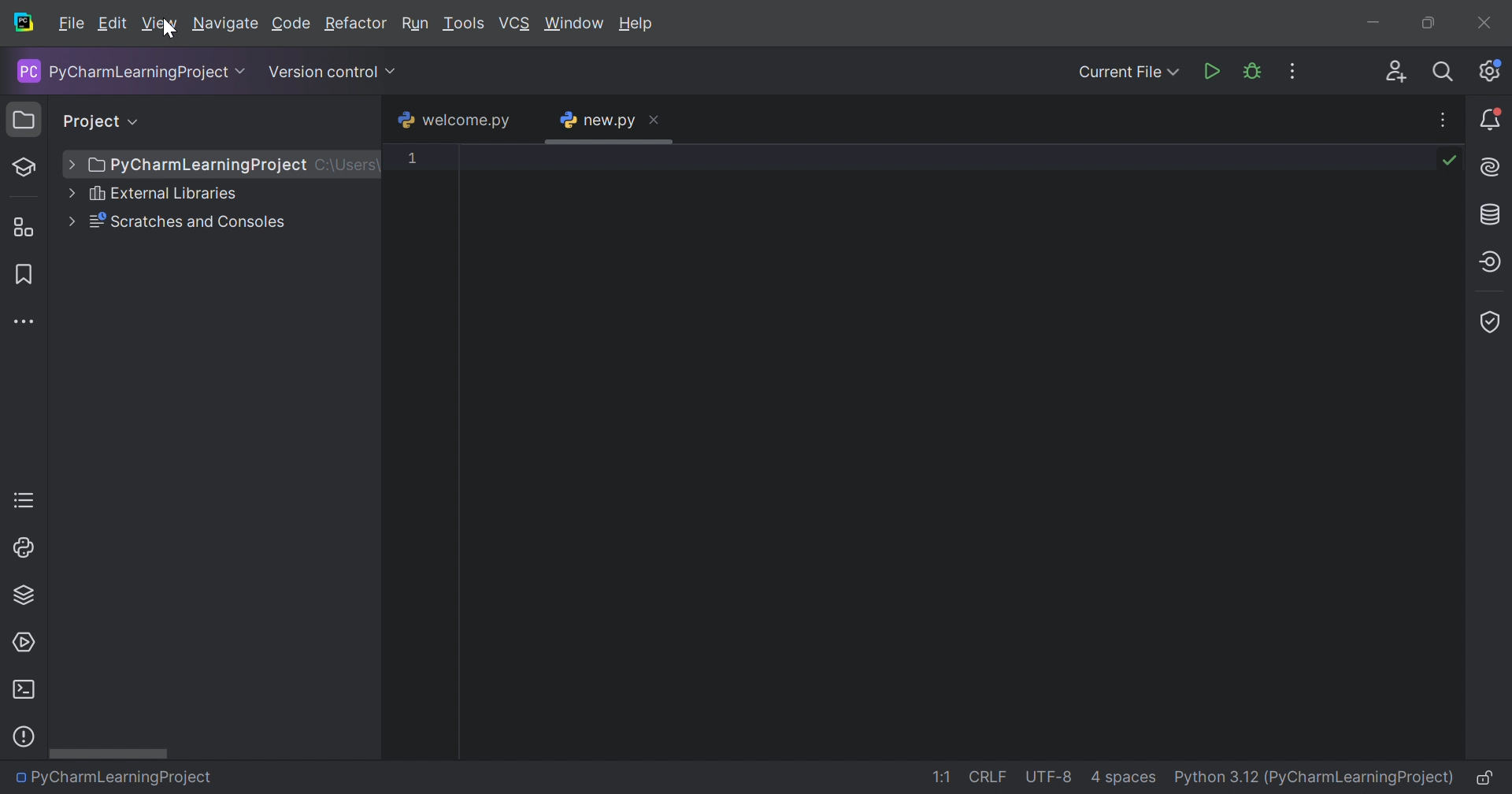 The height and width of the screenshot is (794, 1512). I want to click on Coverage, so click(1493, 325).